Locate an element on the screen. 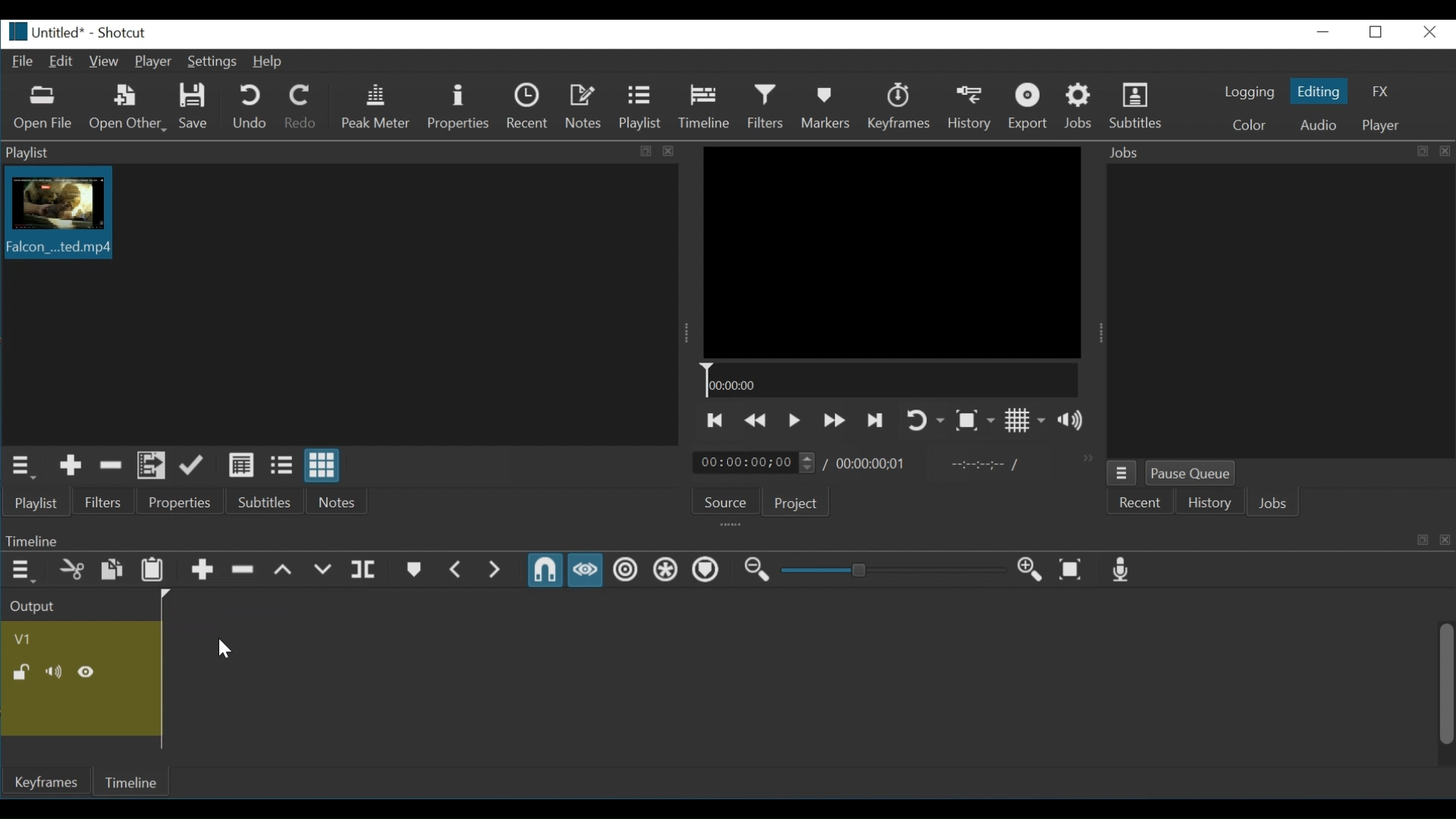  Job menu is located at coordinates (1122, 474).